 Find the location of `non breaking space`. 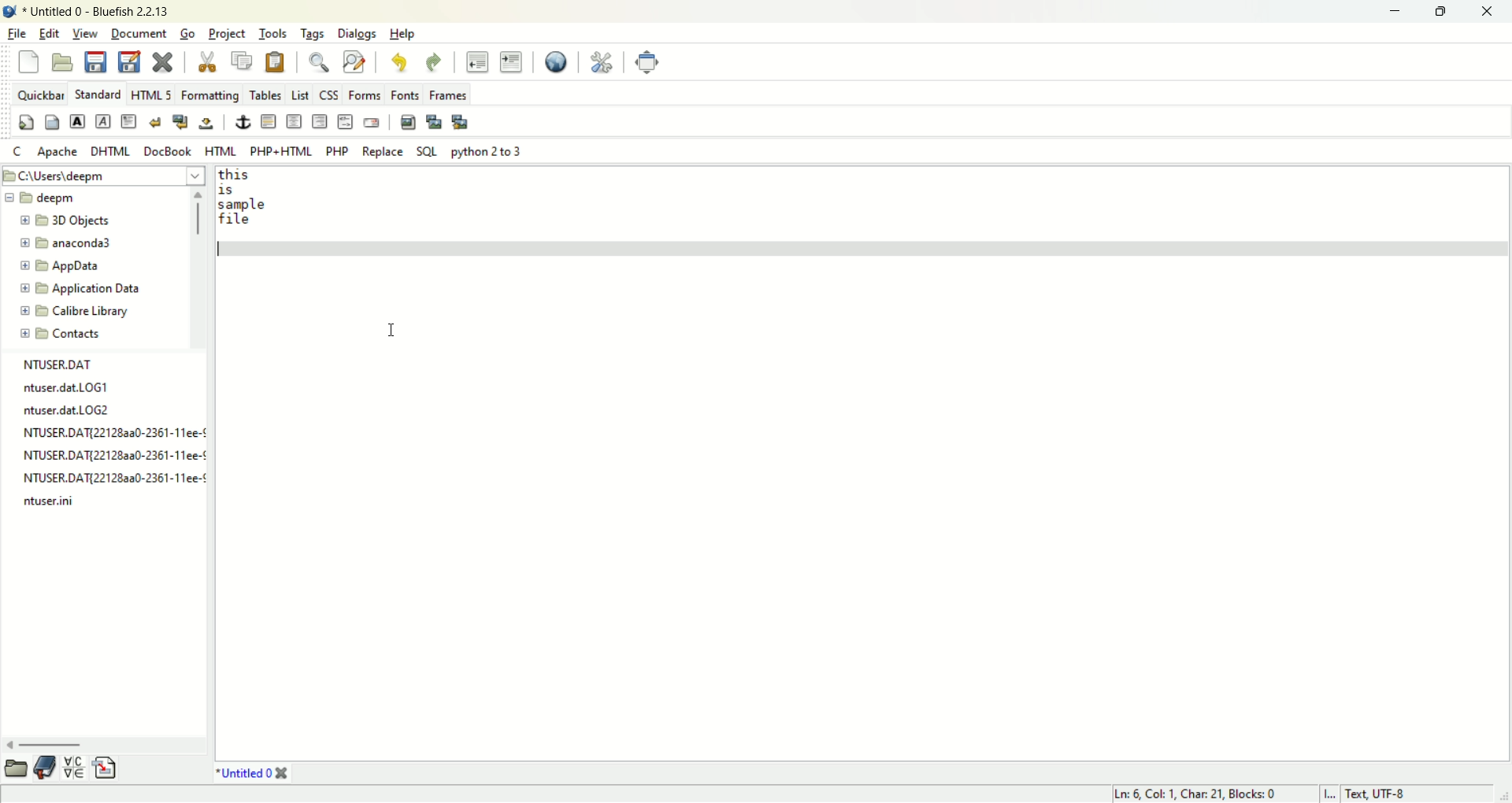

non breaking space is located at coordinates (205, 124).